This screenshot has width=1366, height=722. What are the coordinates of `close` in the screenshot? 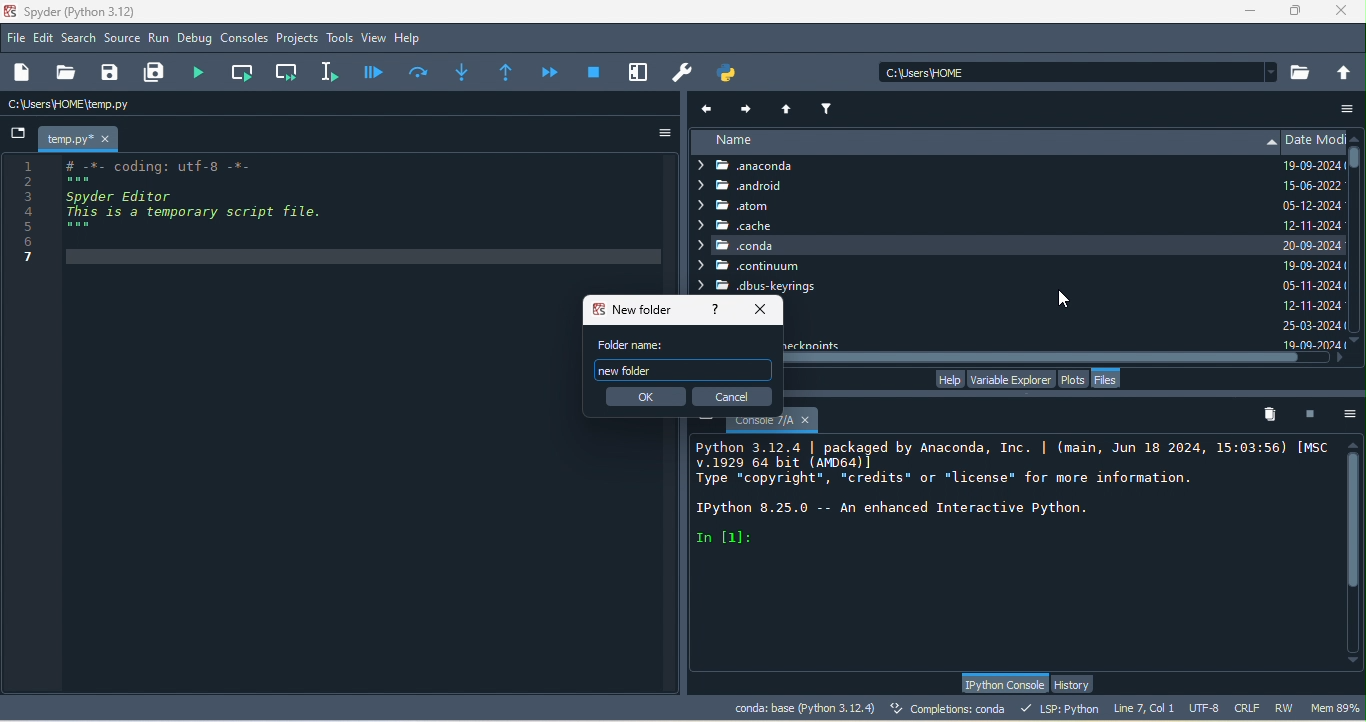 It's located at (1346, 12).